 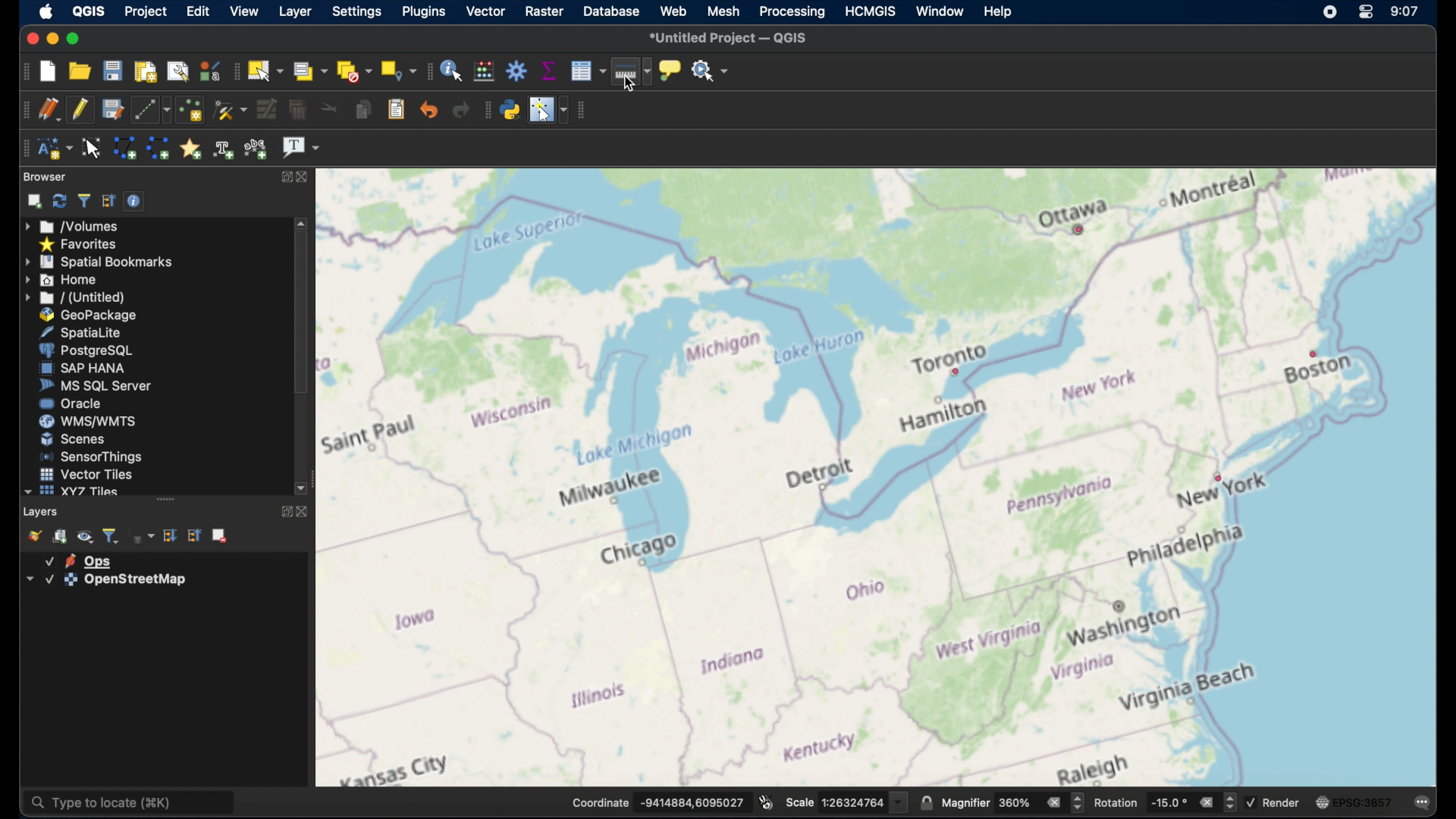 What do you see at coordinates (846, 801) in the screenshot?
I see `scale` at bounding box center [846, 801].